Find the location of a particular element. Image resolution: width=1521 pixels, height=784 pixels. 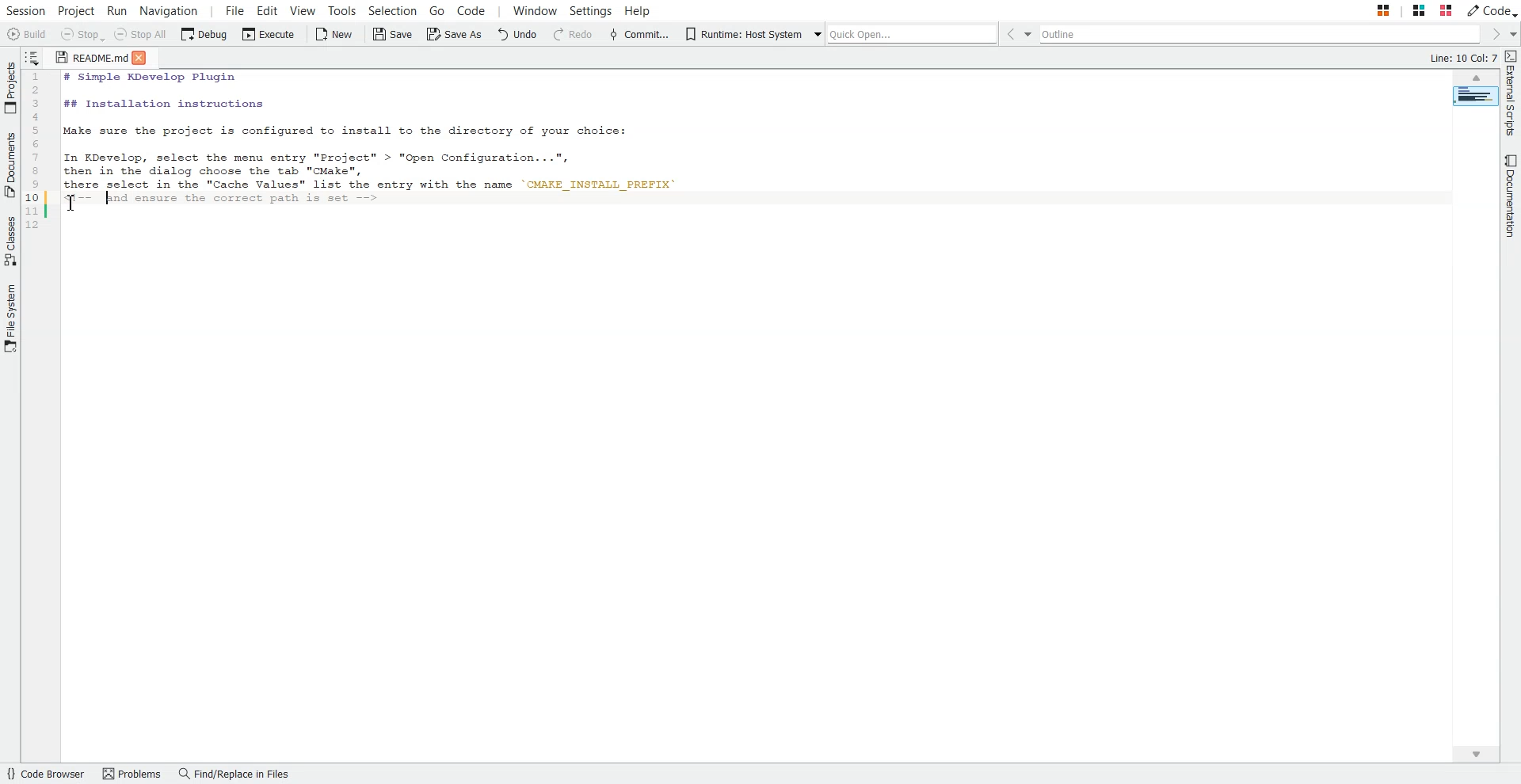

Stack is located at coordinates (1402, 10).